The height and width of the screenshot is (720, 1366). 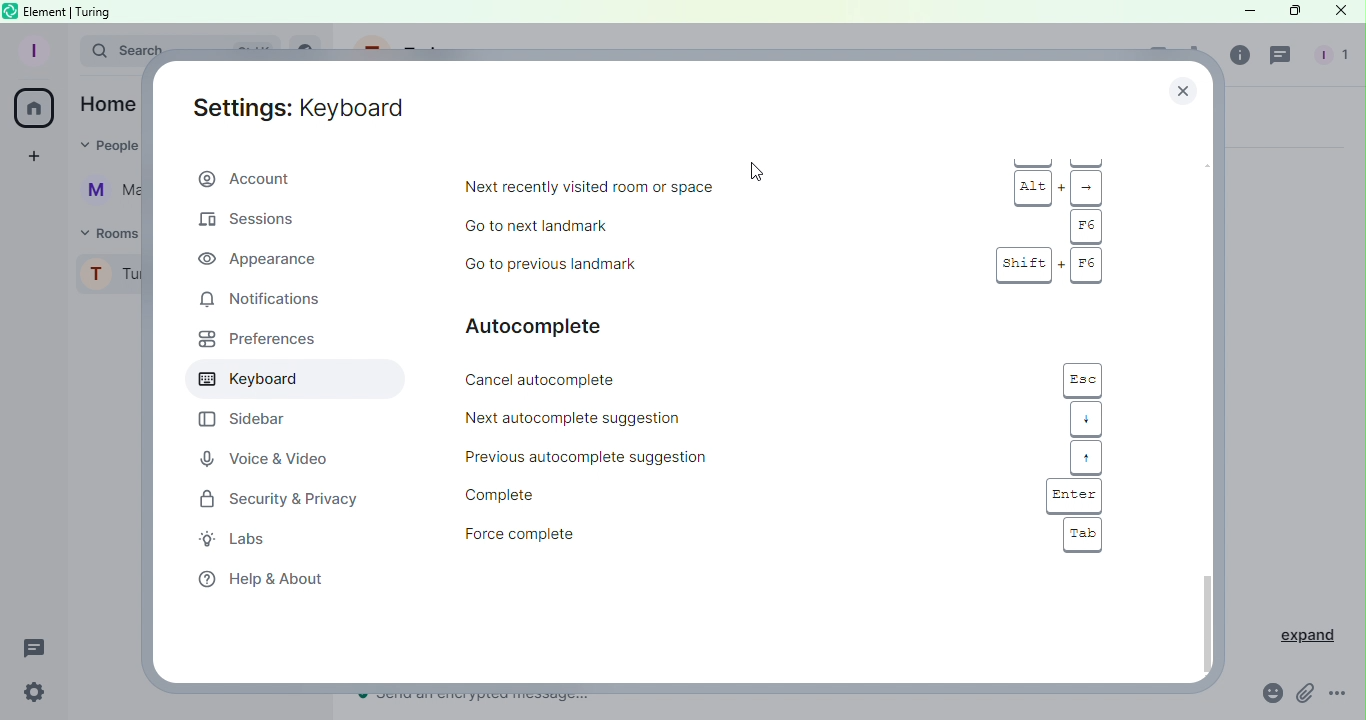 What do you see at coordinates (112, 145) in the screenshot?
I see `People` at bounding box center [112, 145].